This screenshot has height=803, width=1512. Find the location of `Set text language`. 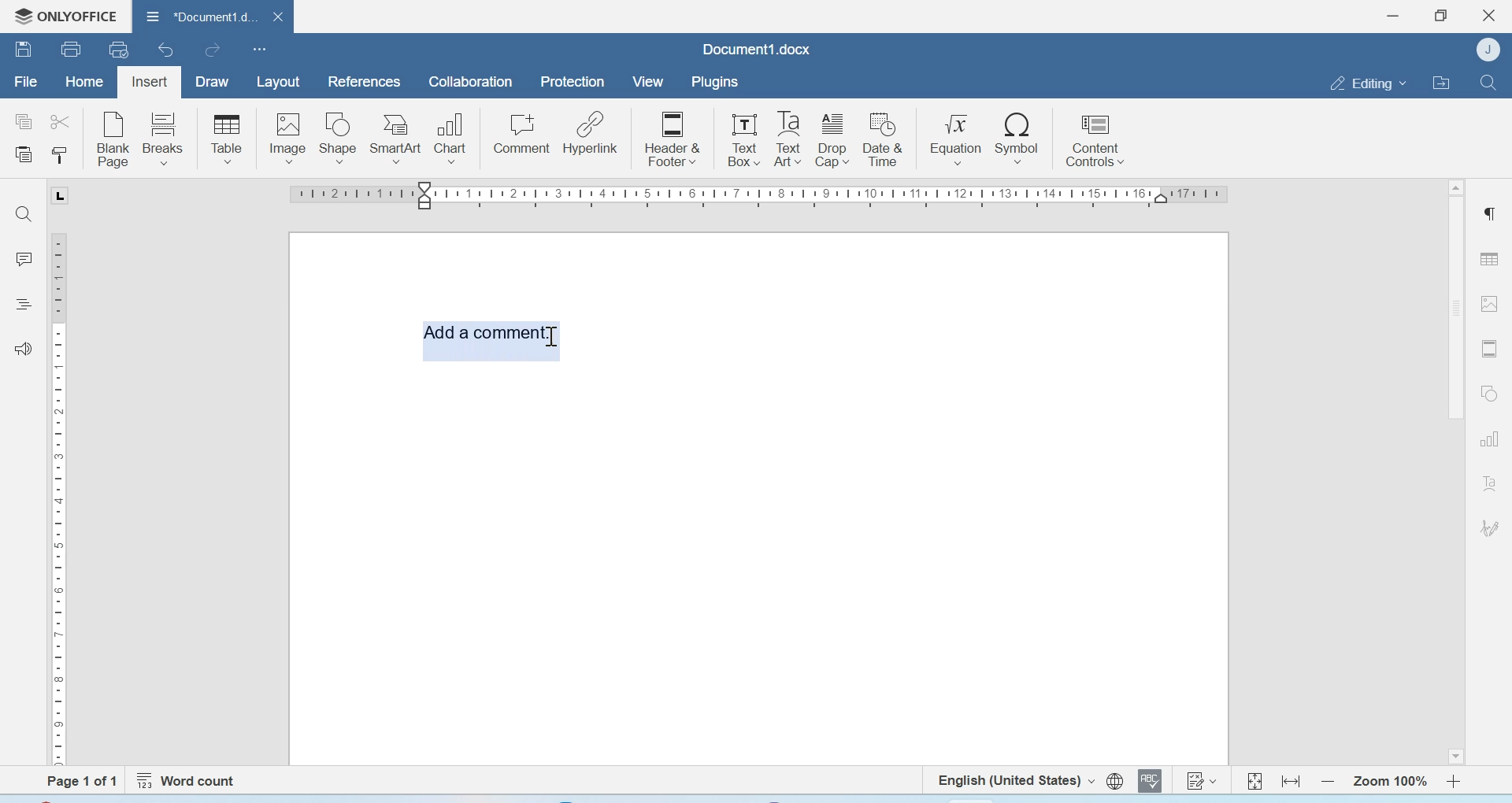

Set text language is located at coordinates (1014, 779).